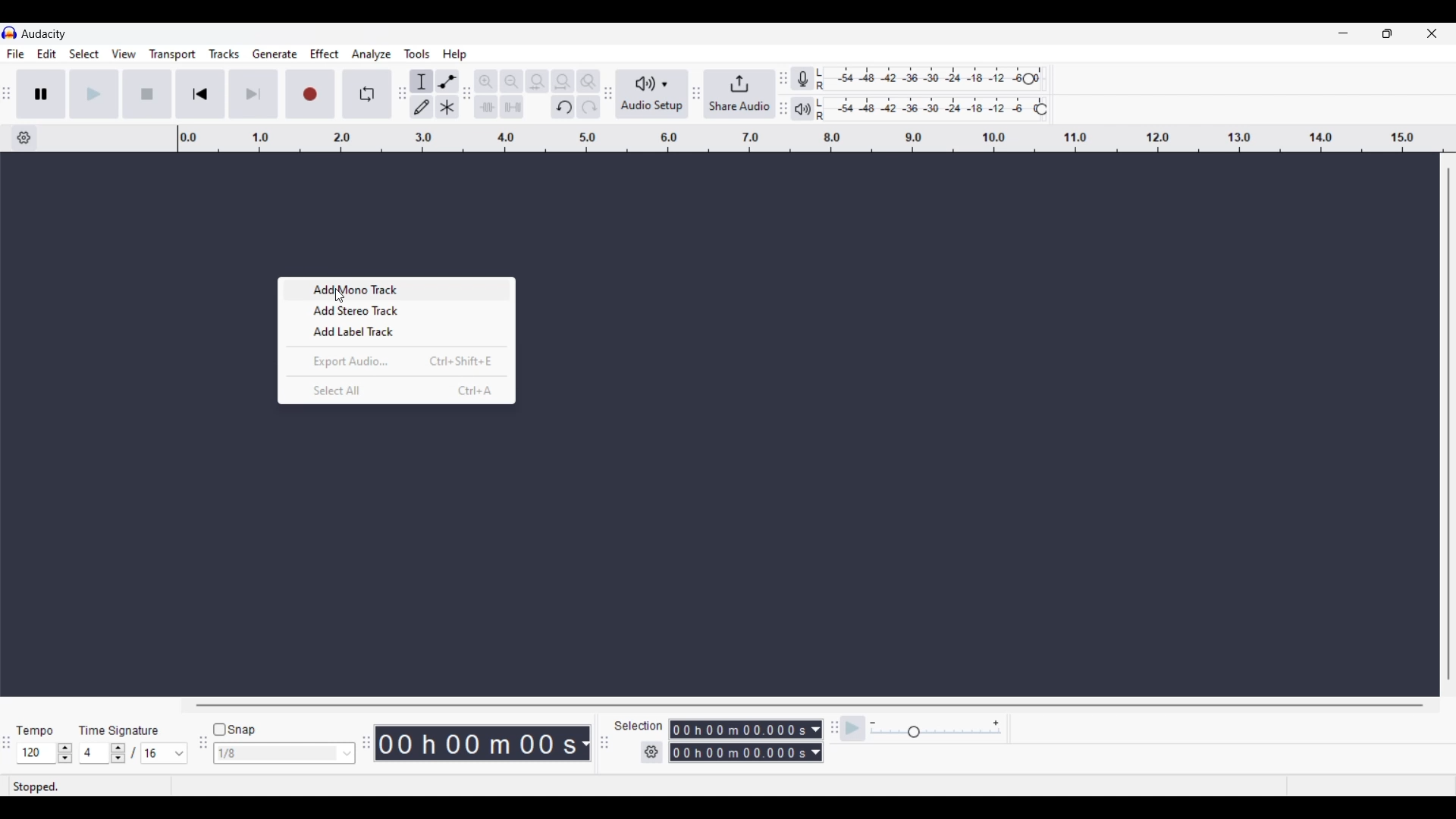  I want to click on Metrics to calculate recording, so click(585, 743).